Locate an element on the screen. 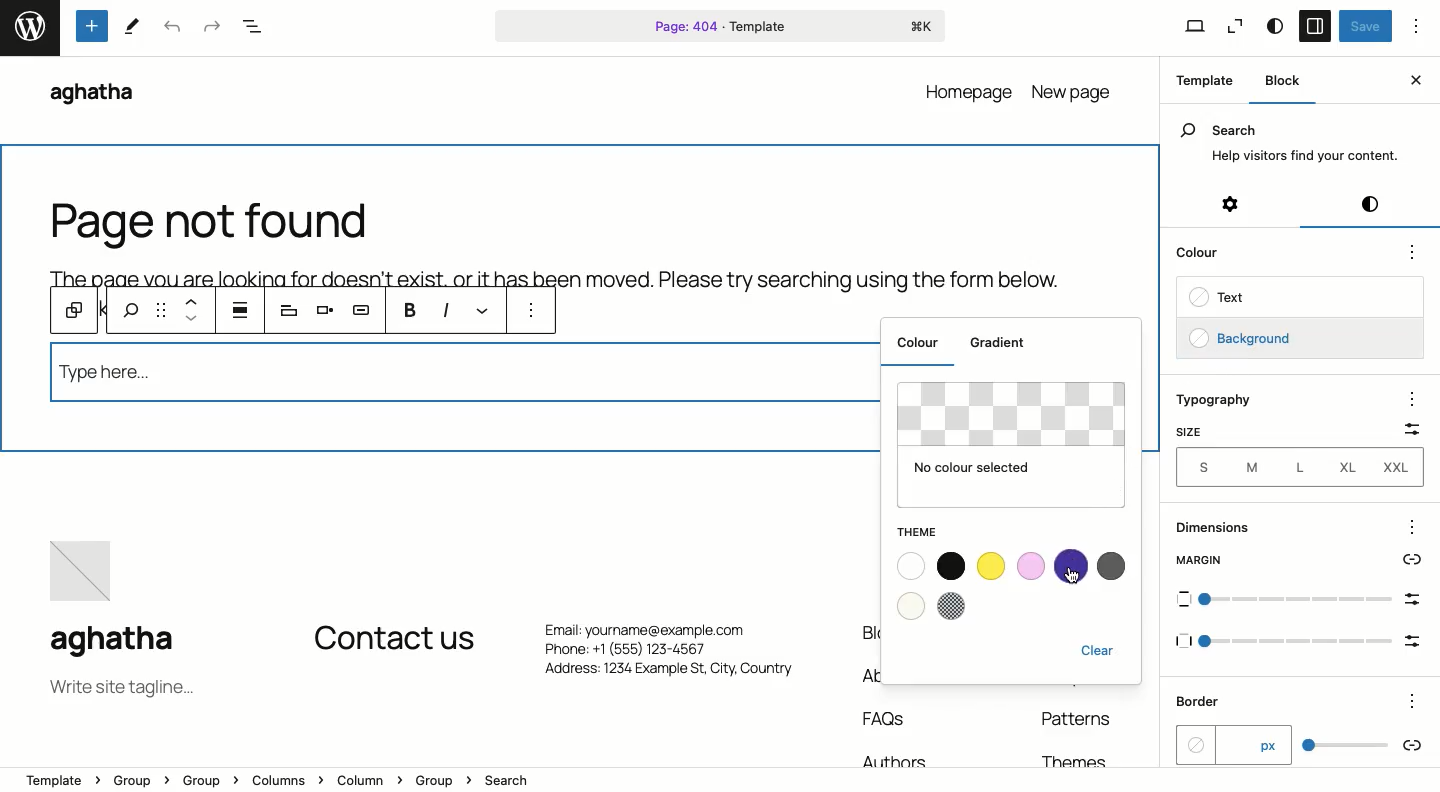 This screenshot has width=1440, height=792. Heading is located at coordinates (289, 311).